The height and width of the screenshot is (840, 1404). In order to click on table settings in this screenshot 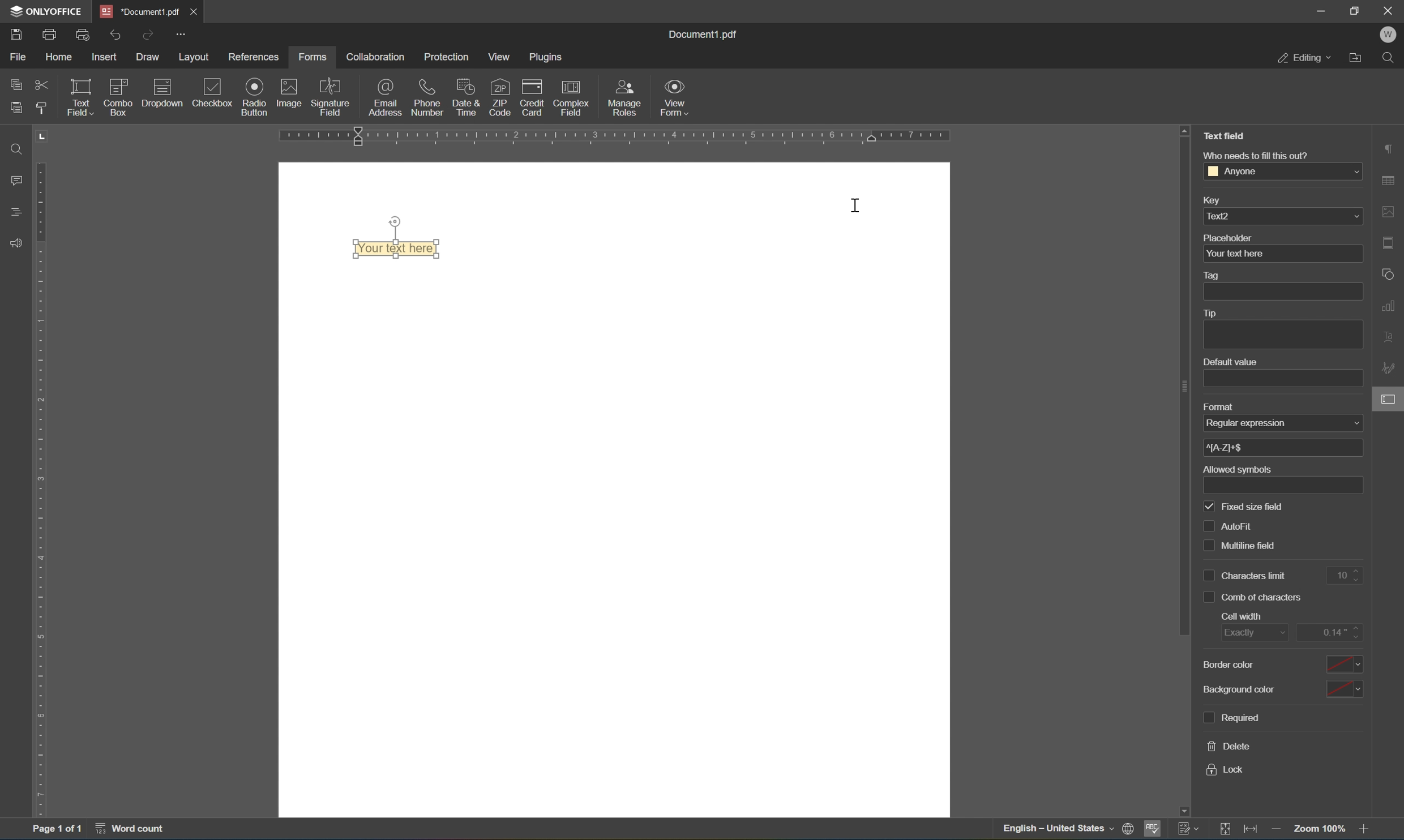, I will do `click(1390, 179)`.